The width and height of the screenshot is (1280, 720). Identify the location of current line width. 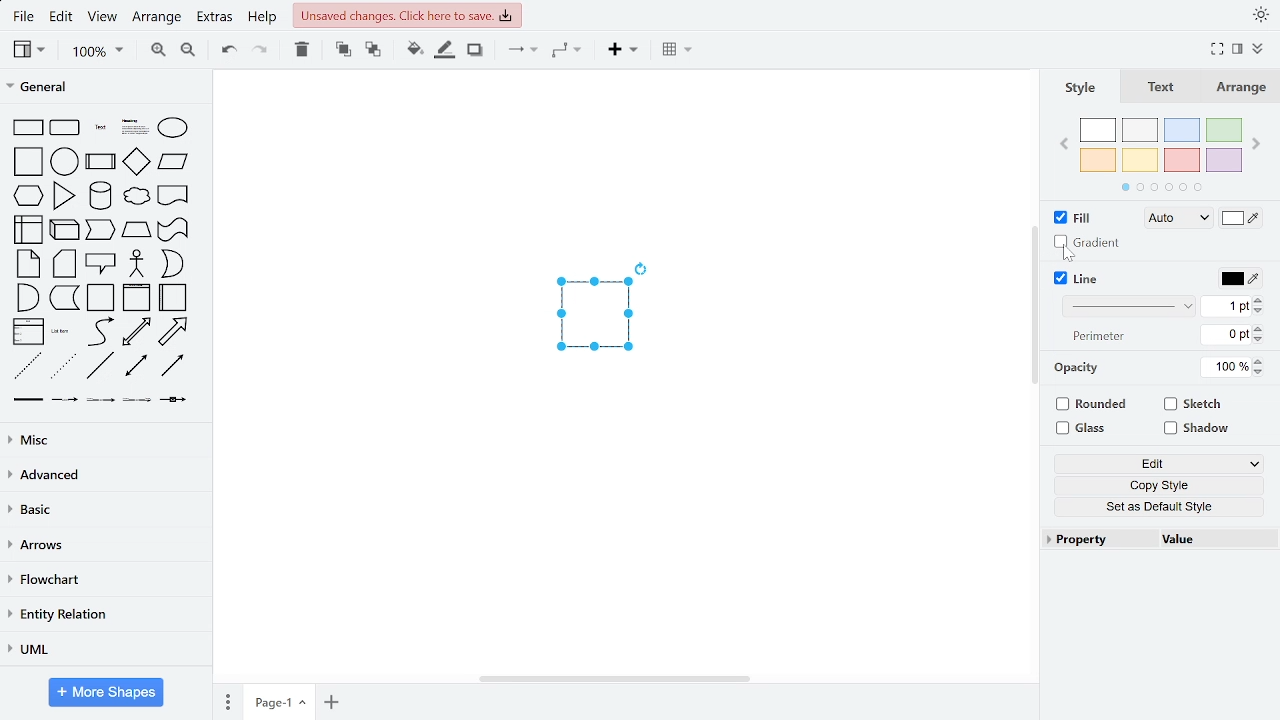
(1227, 307).